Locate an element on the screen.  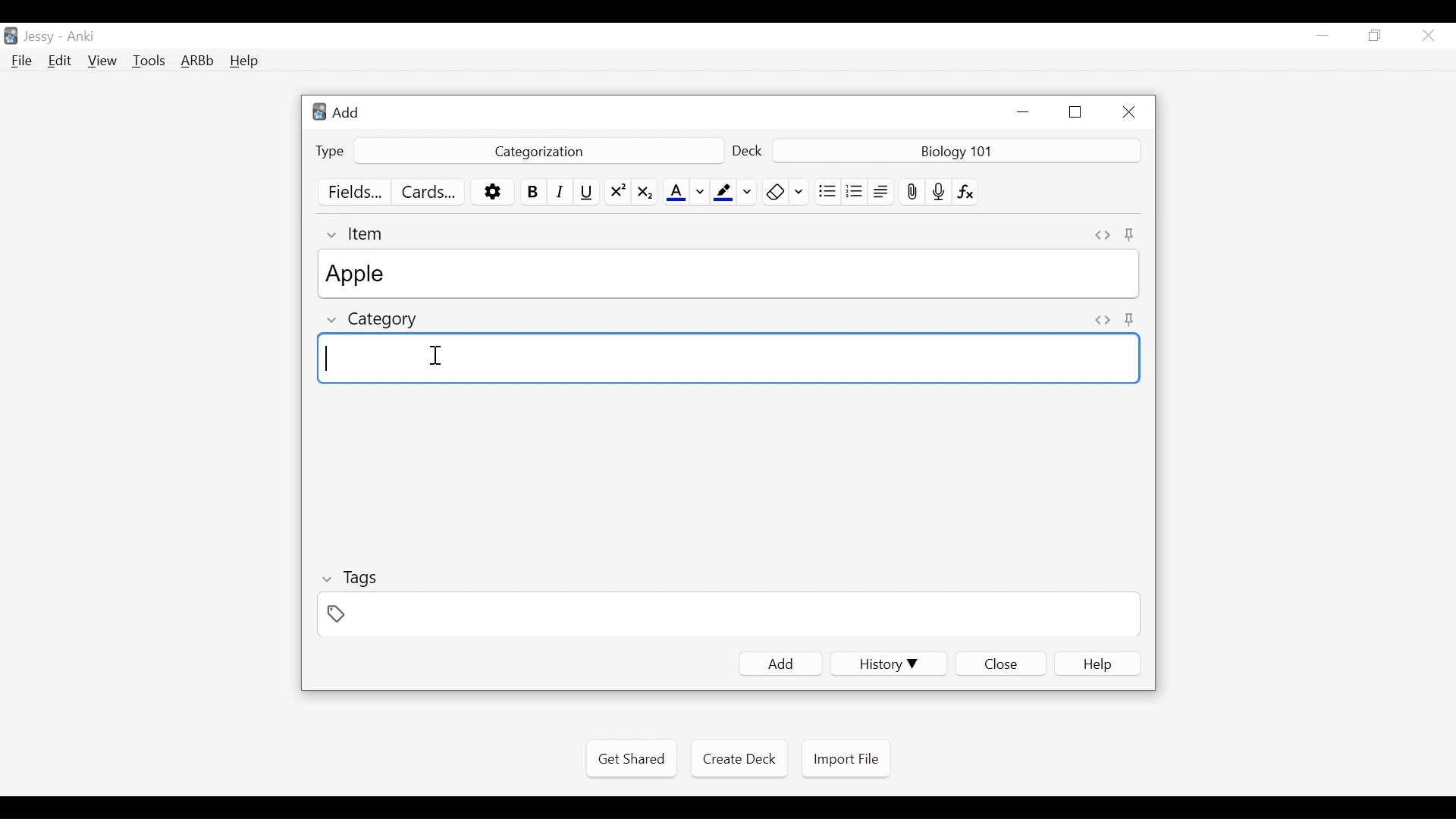
Alignment is located at coordinates (882, 192).